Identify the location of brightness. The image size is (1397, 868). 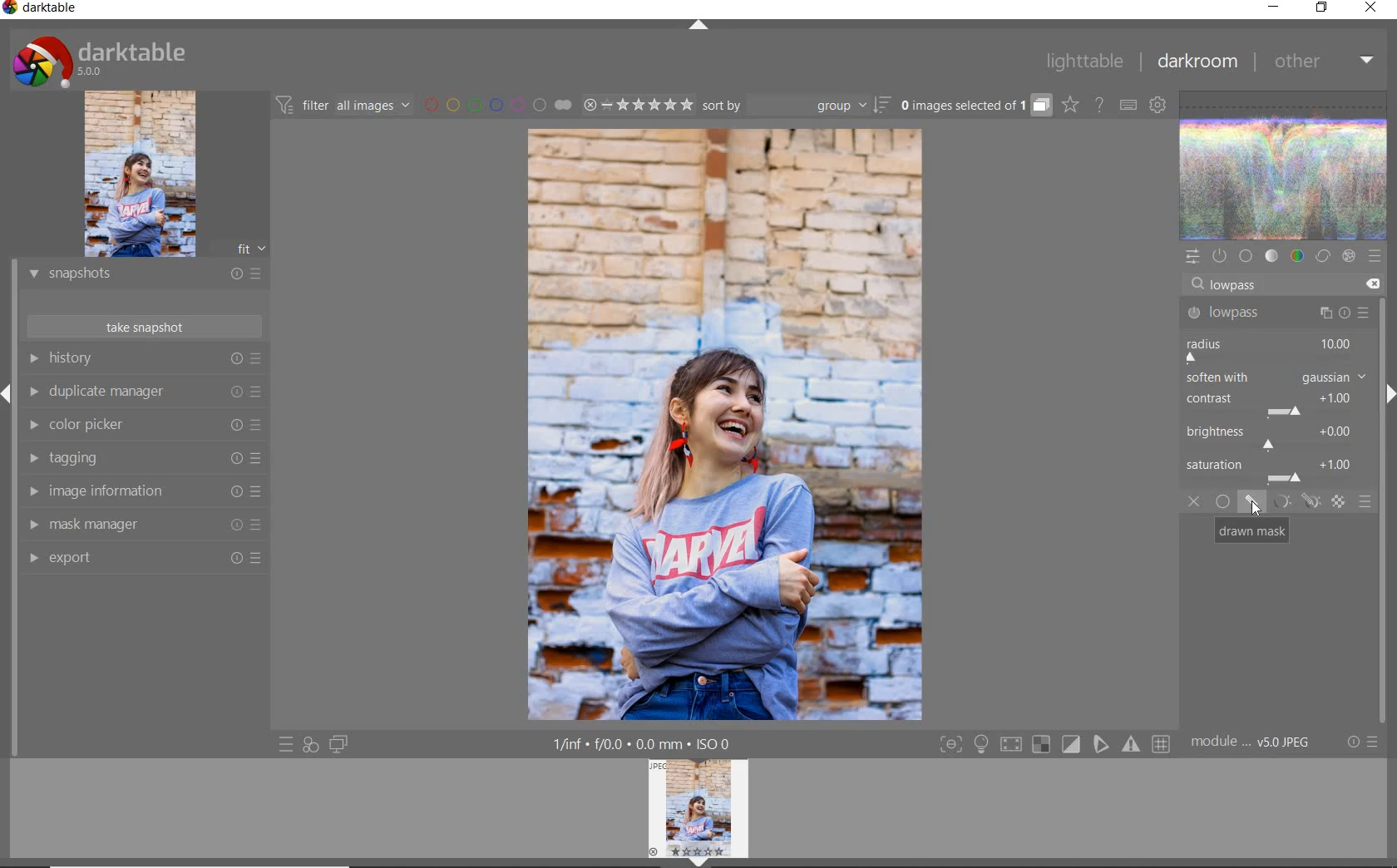
(1275, 436).